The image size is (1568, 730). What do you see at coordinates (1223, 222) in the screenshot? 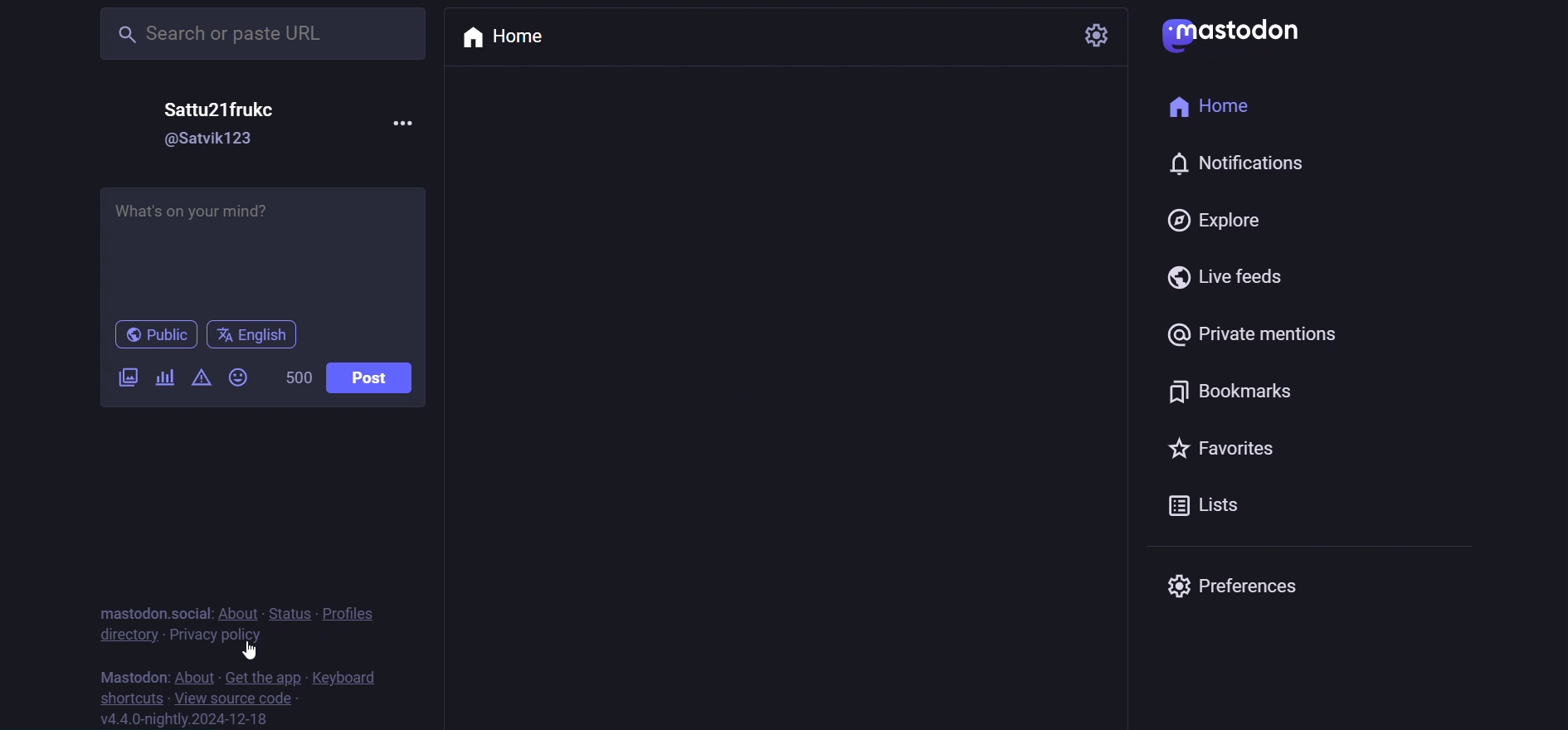
I see `explore` at bounding box center [1223, 222].